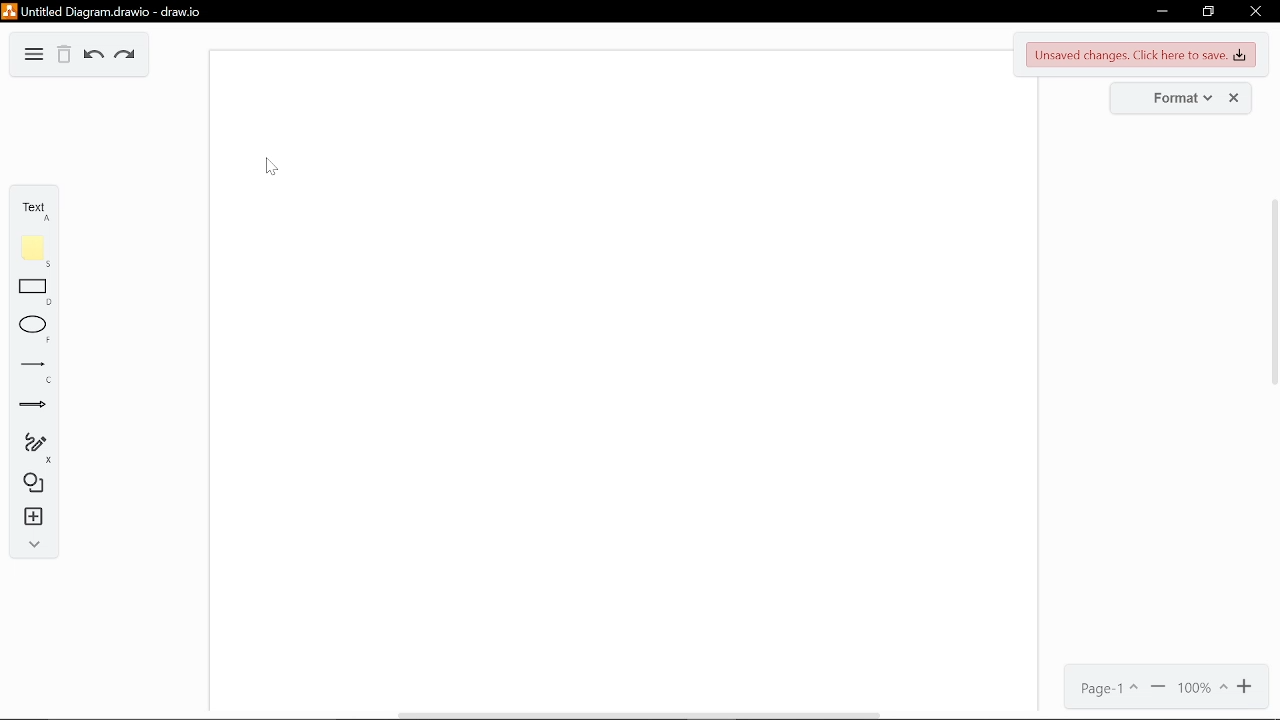 The height and width of the screenshot is (720, 1280). I want to click on freehand, so click(30, 446).